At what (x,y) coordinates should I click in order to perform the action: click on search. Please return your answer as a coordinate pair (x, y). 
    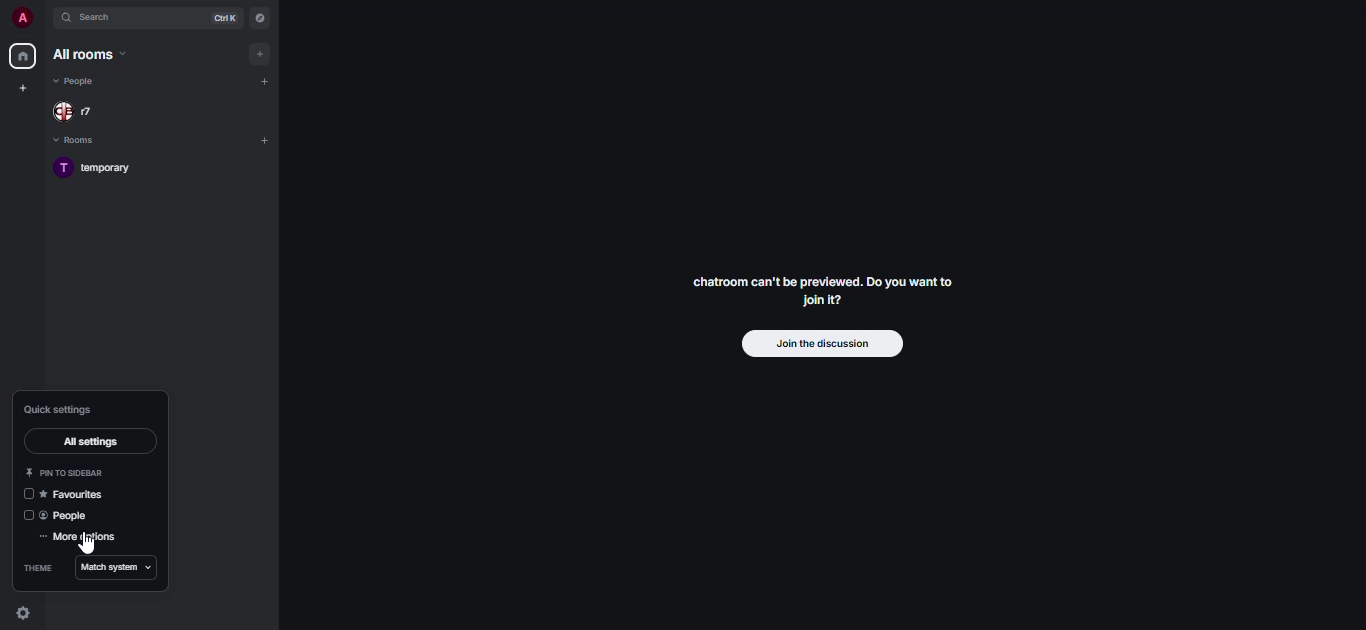
    Looking at the image, I should click on (96, 19).